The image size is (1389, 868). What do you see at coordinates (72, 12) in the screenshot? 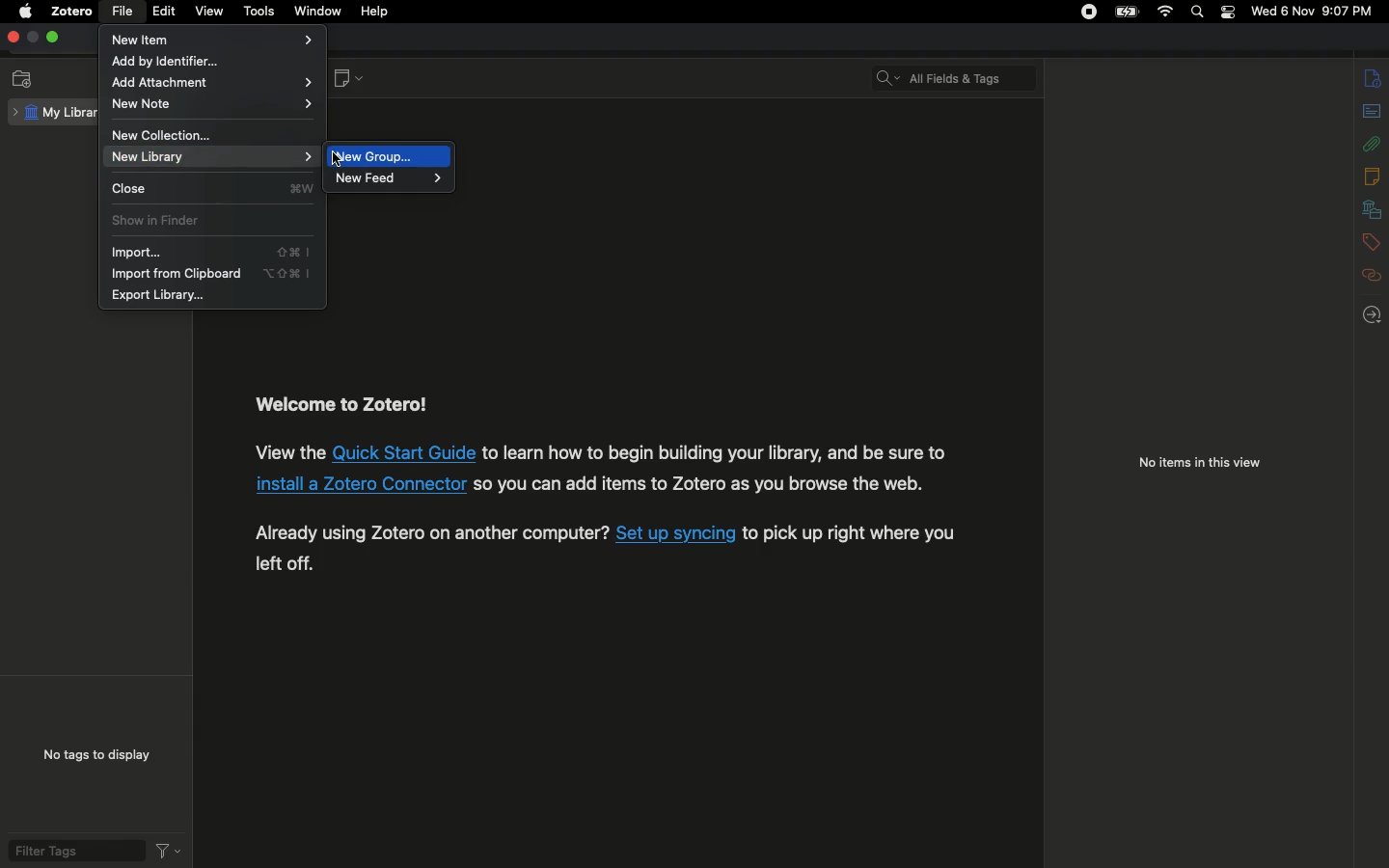
I see `Zotero` at bounding box center [72, 12].